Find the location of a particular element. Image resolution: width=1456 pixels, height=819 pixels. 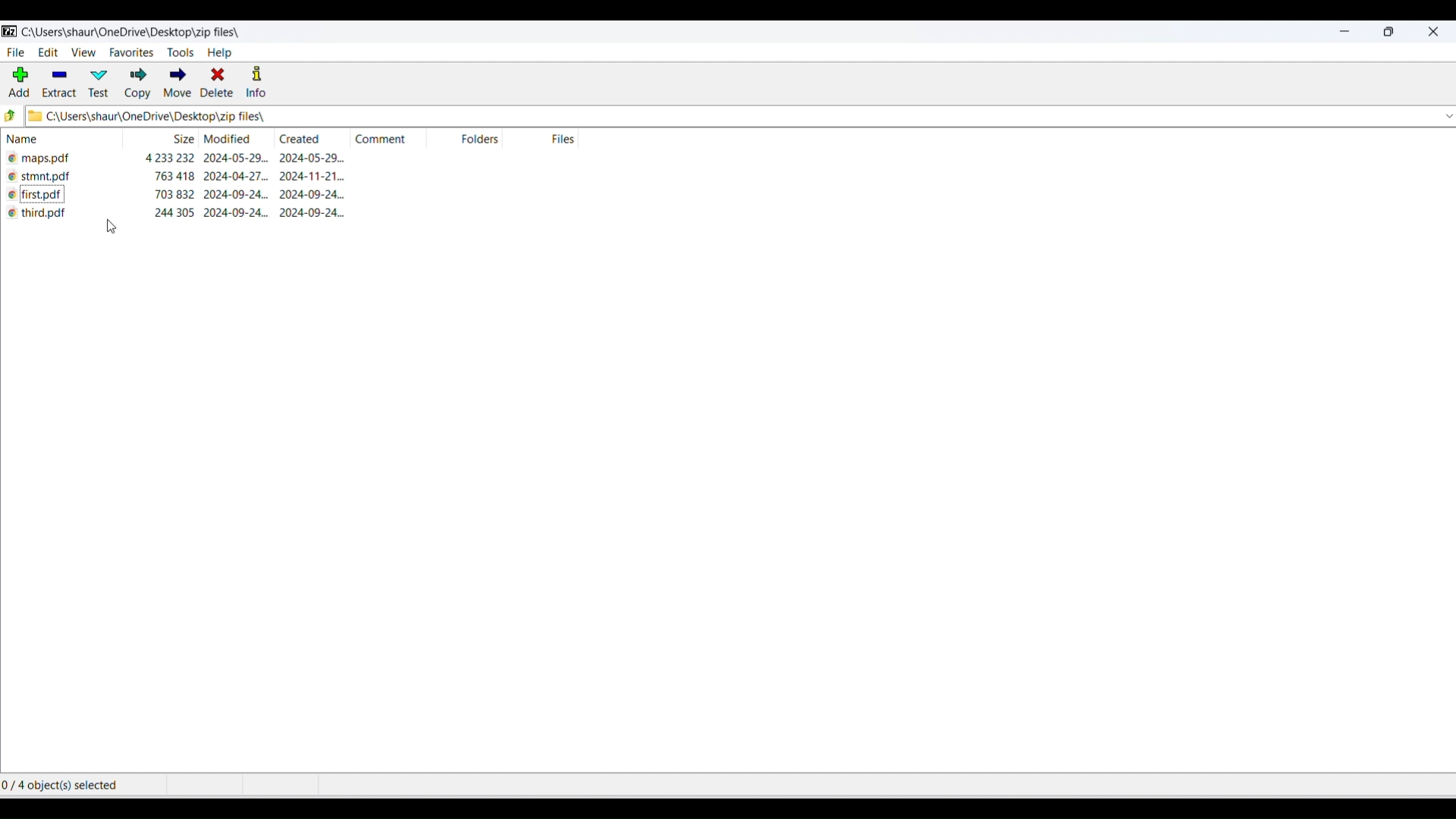

copy is located at coordinates (138, 83).